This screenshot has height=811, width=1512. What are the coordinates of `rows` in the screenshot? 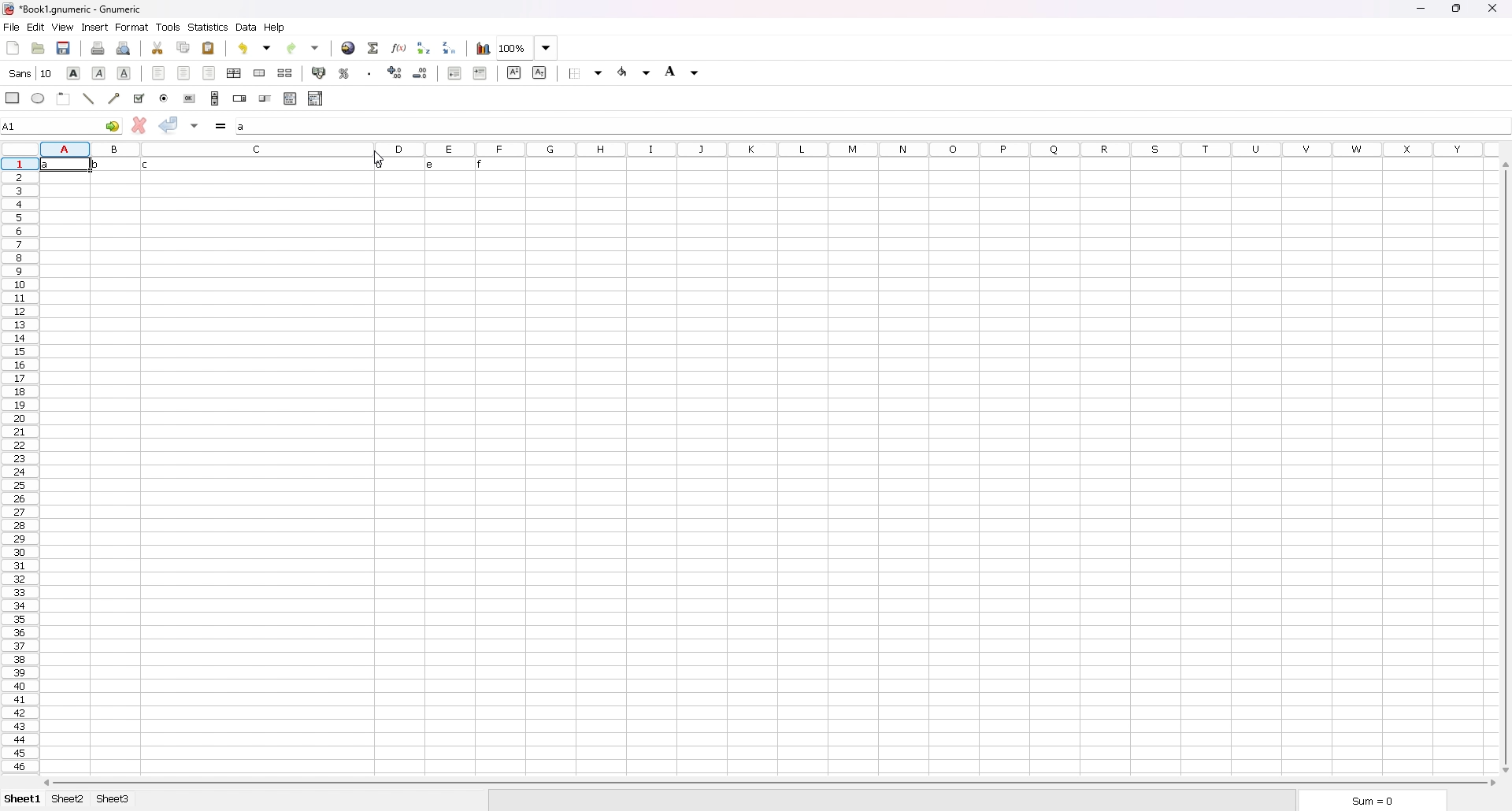 It's located at (17, 465).